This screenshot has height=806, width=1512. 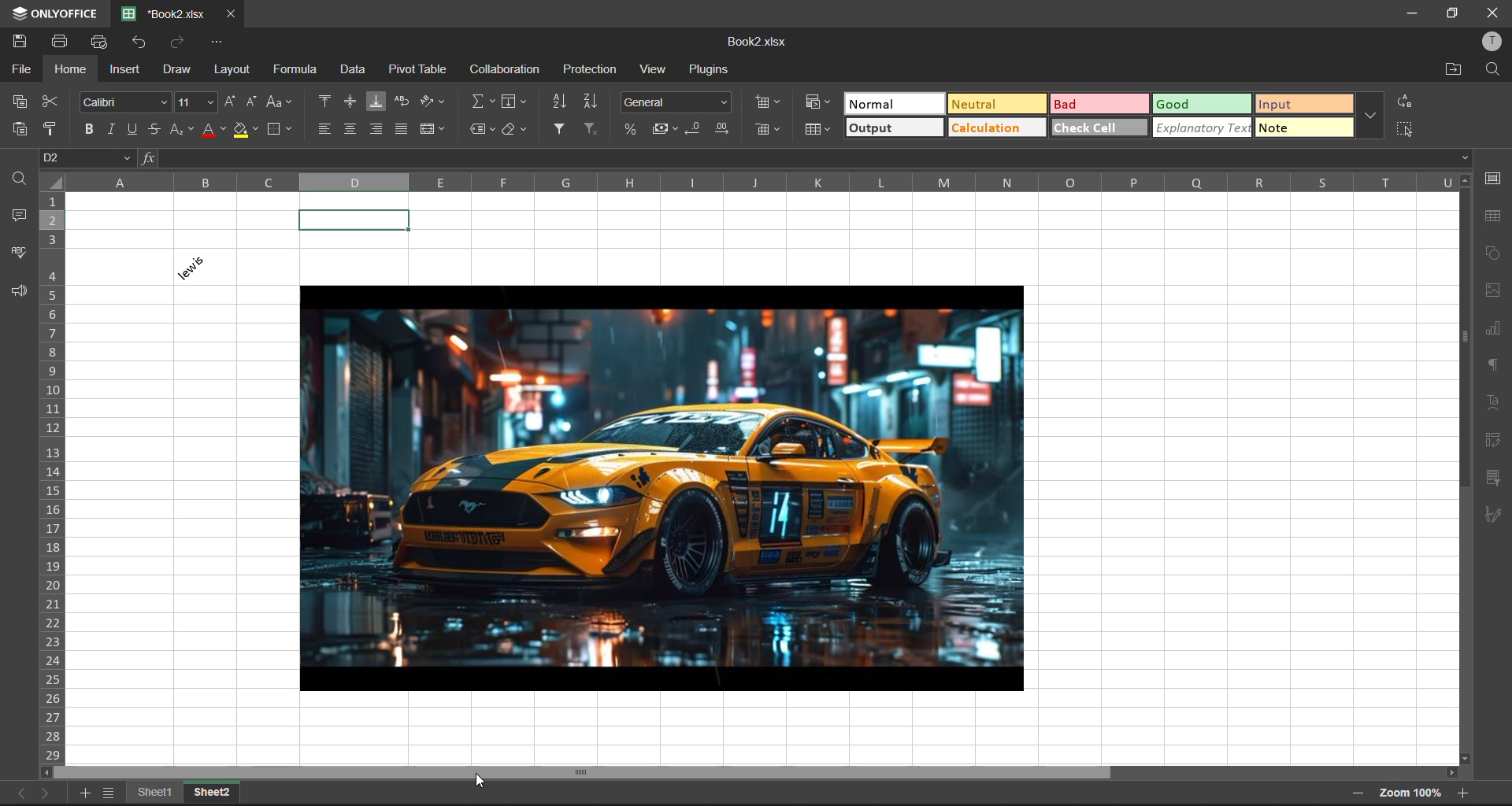 What do you see at coordinates (179, 43) in the screenshot?
I see `redo` at bounding box center [179, 43].